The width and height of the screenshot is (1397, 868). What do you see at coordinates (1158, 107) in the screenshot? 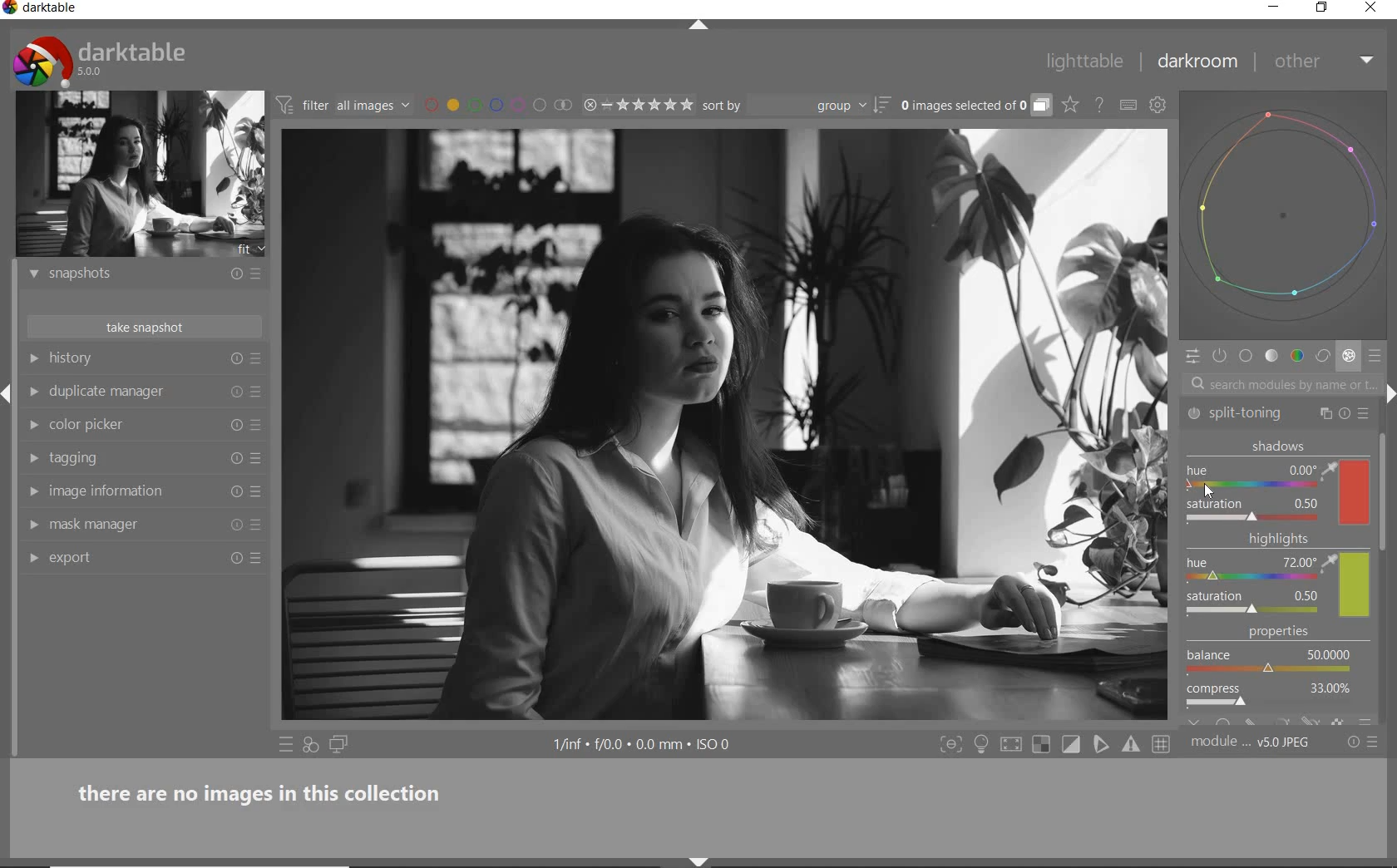
I see `show global preferences` at bounding box center [1158, 107].